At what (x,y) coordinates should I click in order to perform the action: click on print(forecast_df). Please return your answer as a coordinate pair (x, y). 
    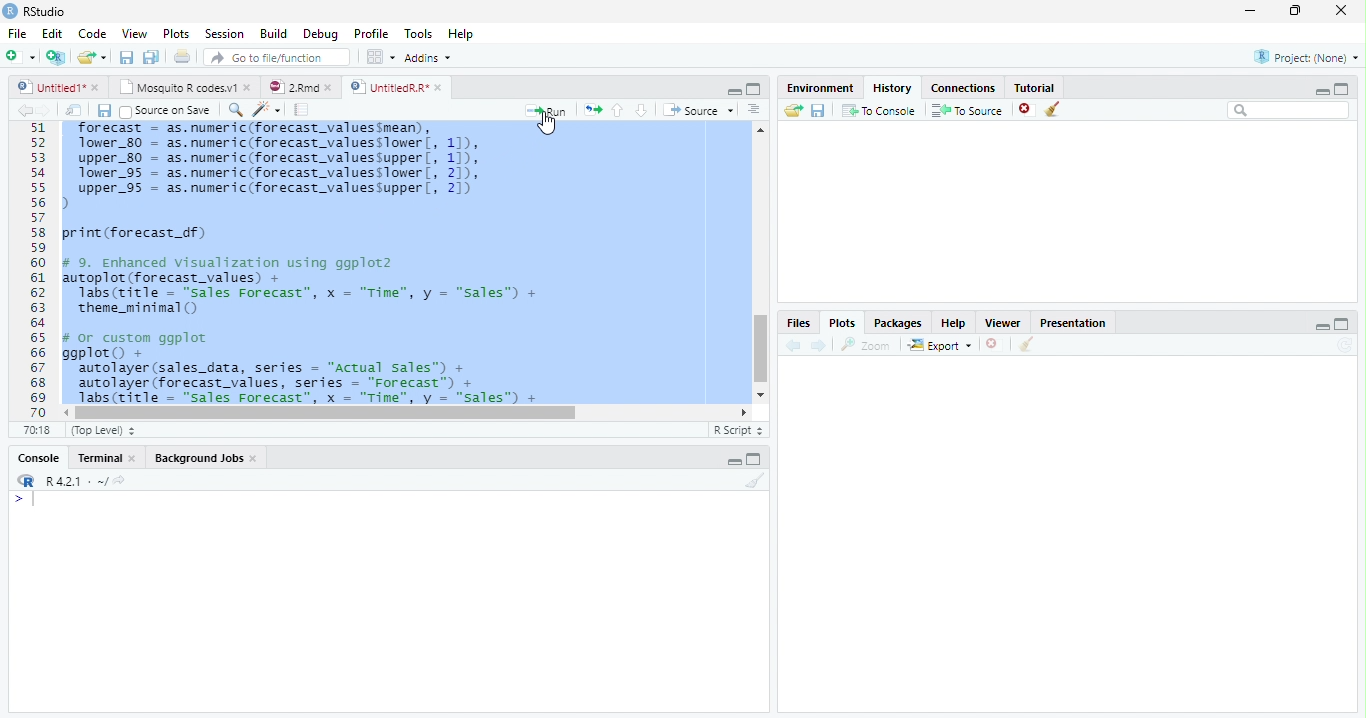
    Looking at the image, I should click on (142, 233).